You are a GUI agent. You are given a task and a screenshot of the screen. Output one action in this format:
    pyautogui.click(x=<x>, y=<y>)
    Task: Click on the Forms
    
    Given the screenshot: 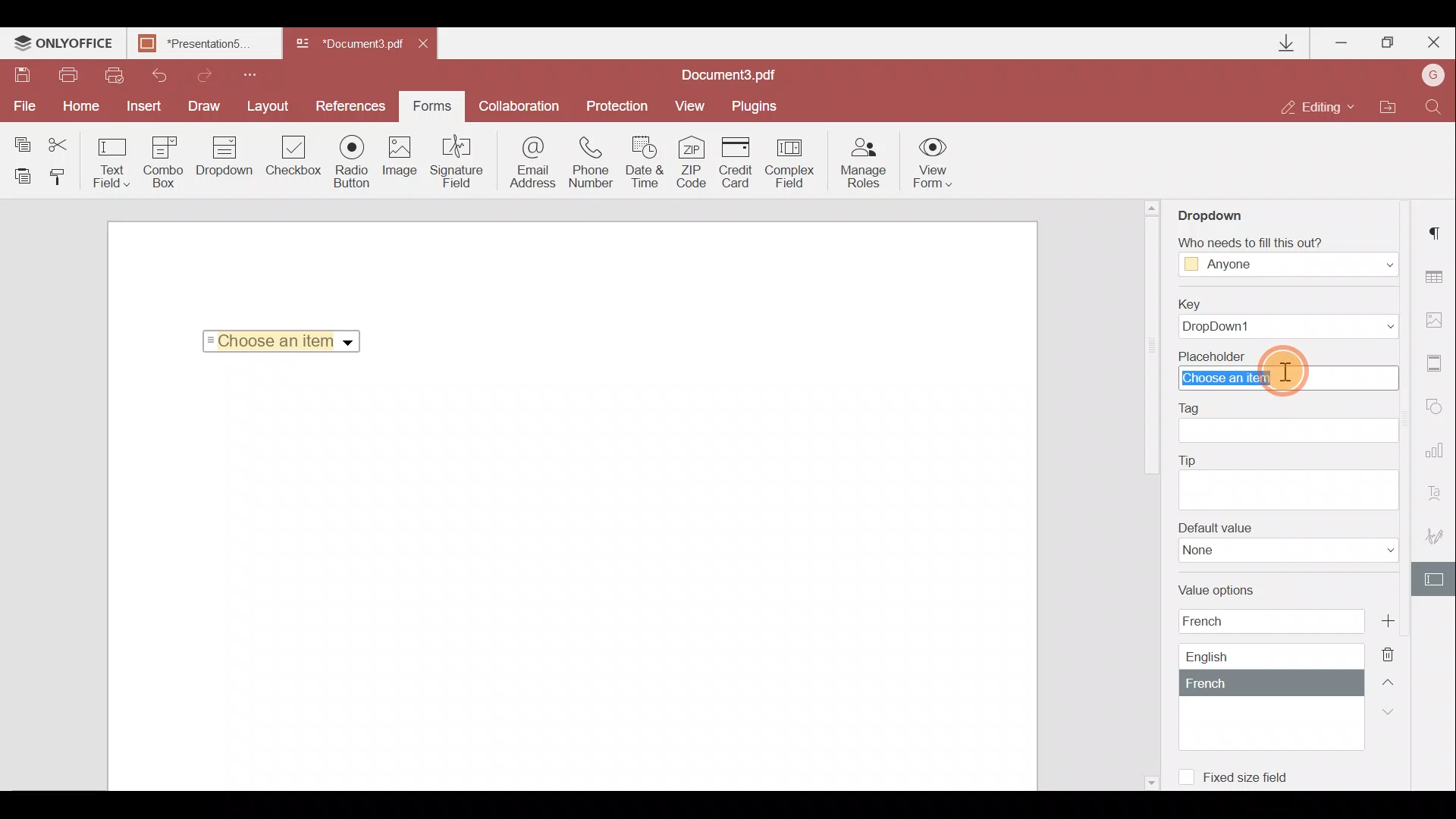 What is the action you would take?
    pyautogui.click(x=431, y=101)
    